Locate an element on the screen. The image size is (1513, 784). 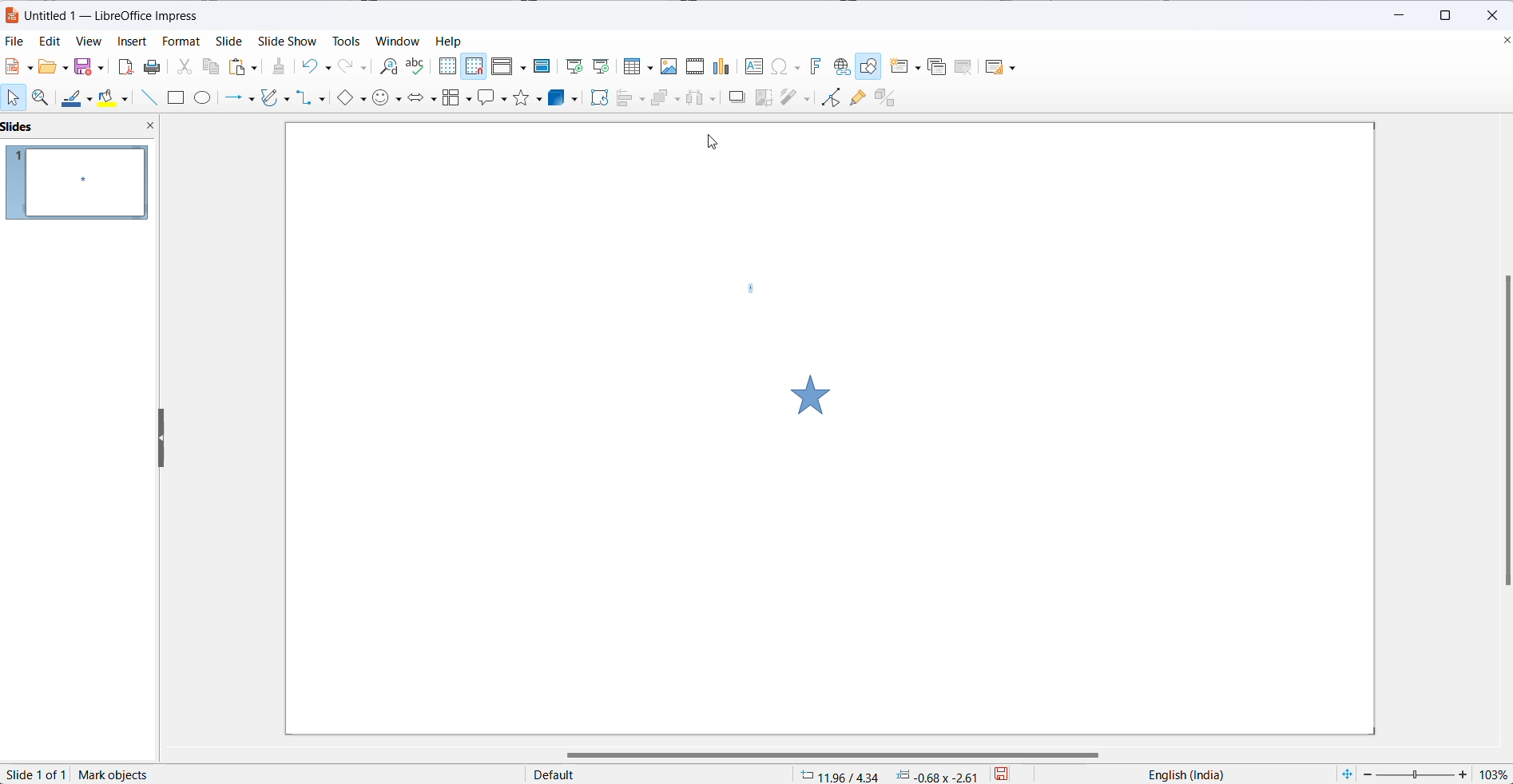
DUPLICATE SLIDE is located at coordinates (937, 69).